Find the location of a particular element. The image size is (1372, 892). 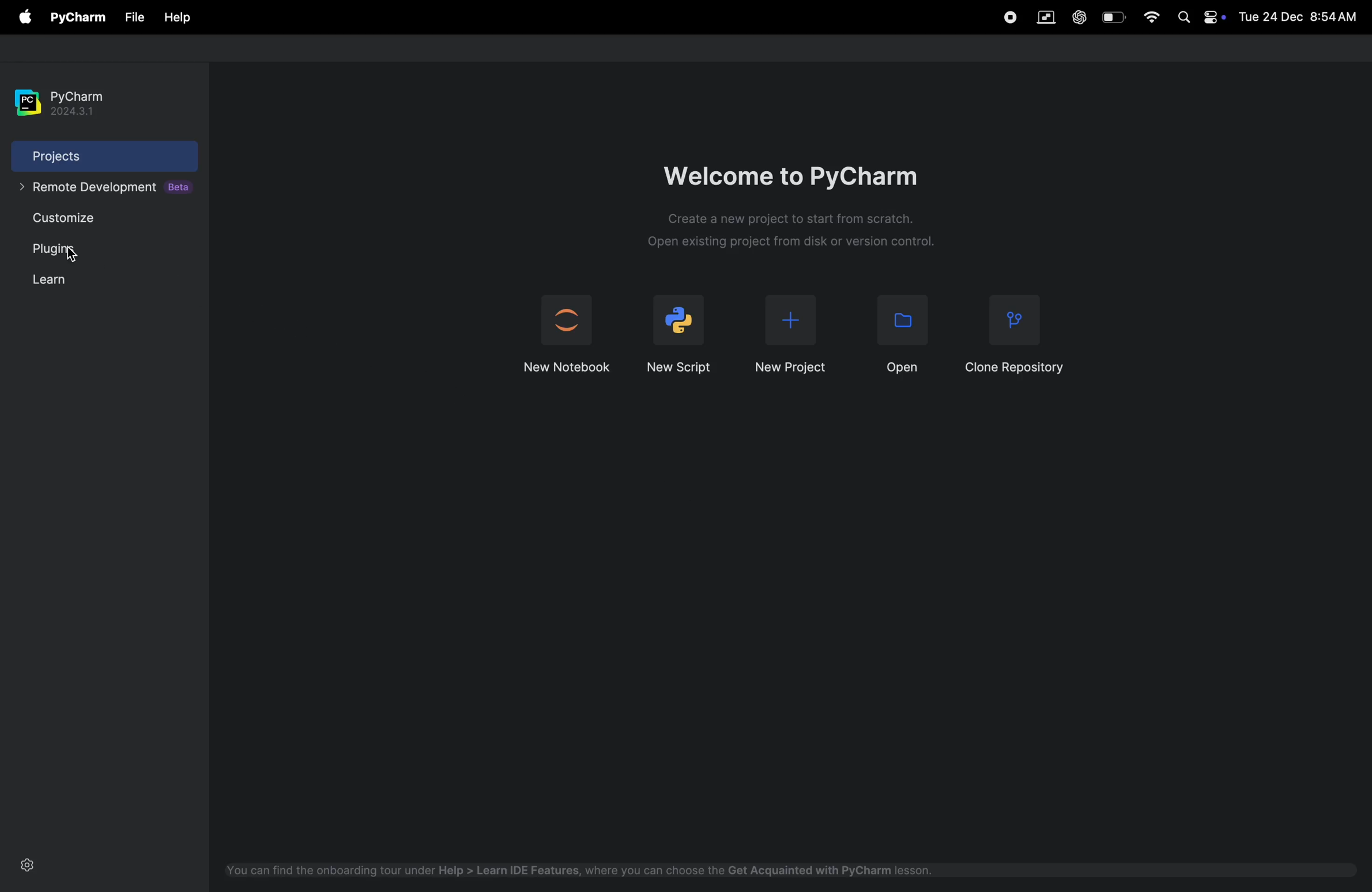

clone repository is located at coordinates (1015, 333).